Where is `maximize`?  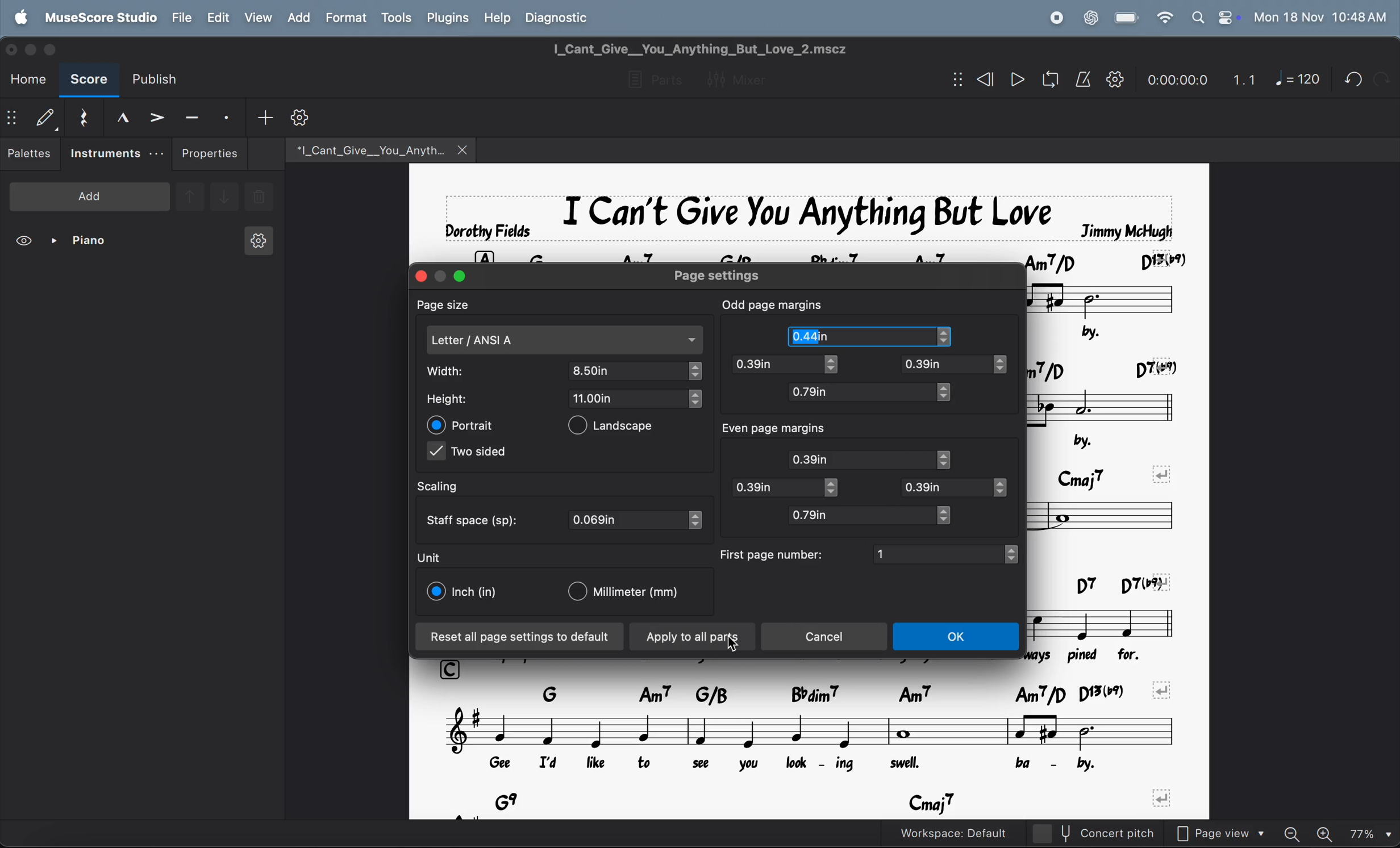 maximize is located at coordinates (461, 276).